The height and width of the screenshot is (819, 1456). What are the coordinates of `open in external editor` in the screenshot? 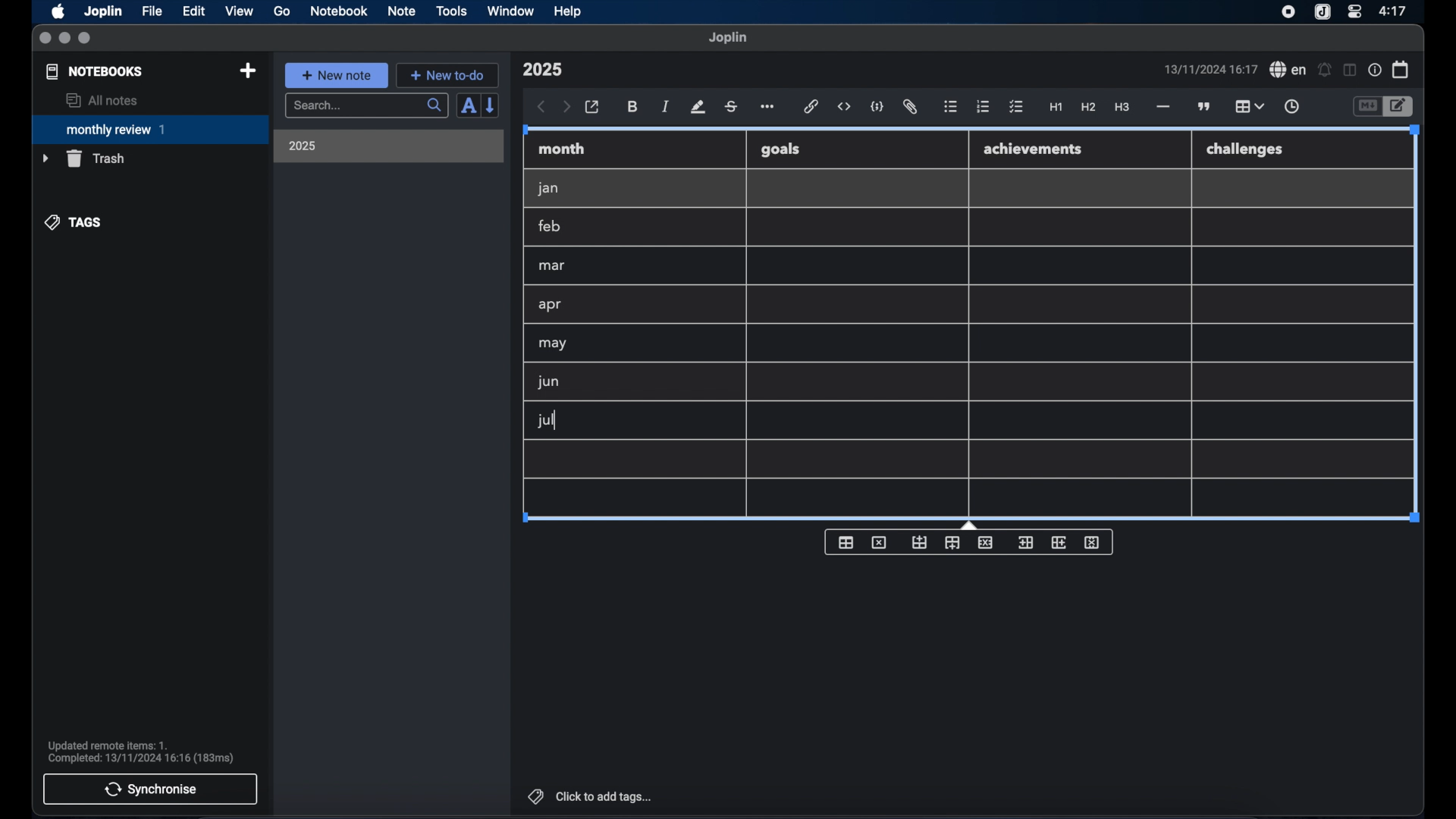 It's located at (593, 108).